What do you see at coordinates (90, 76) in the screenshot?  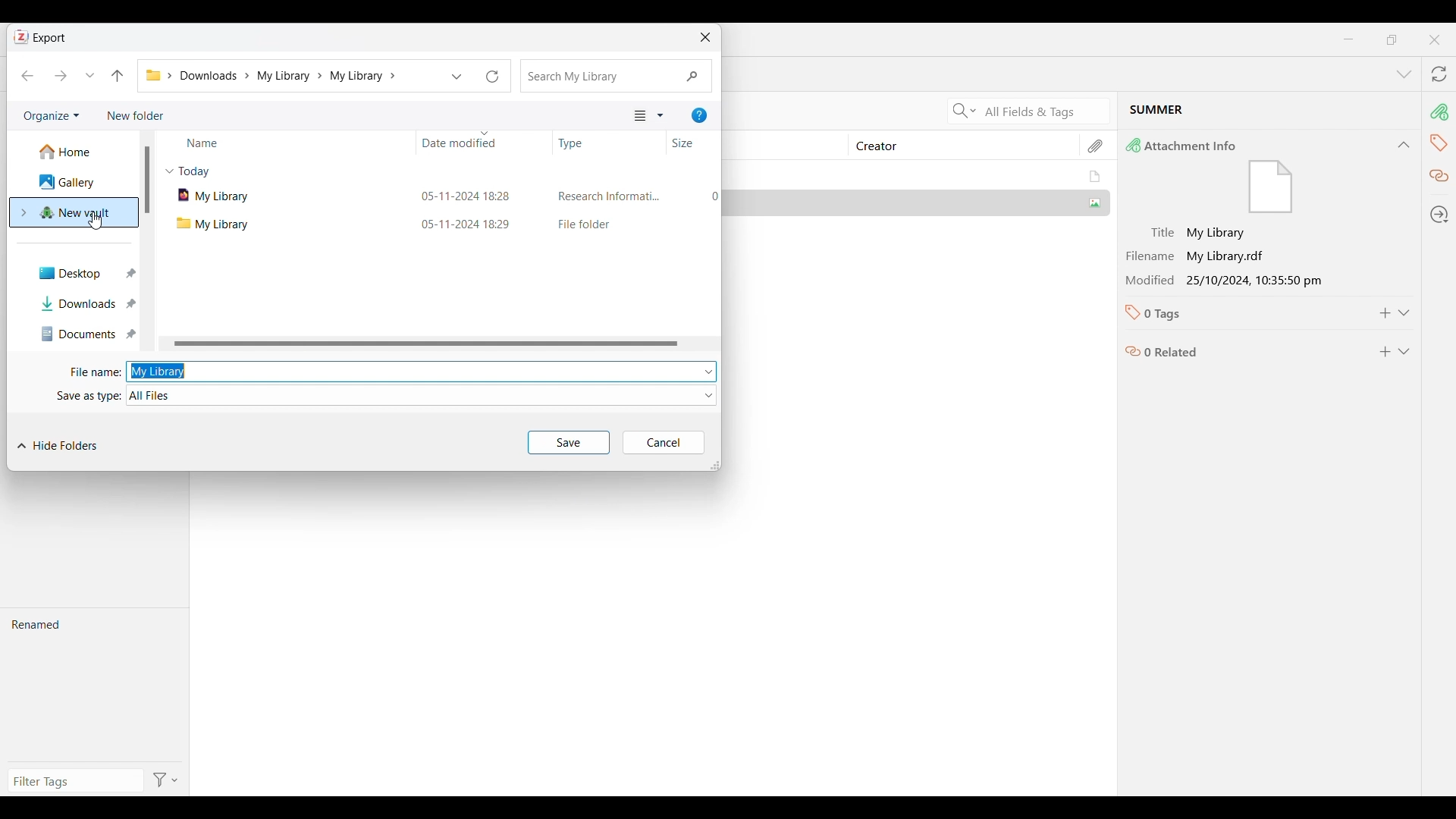 I see `Recent locations` at bounding box center [90, 76].